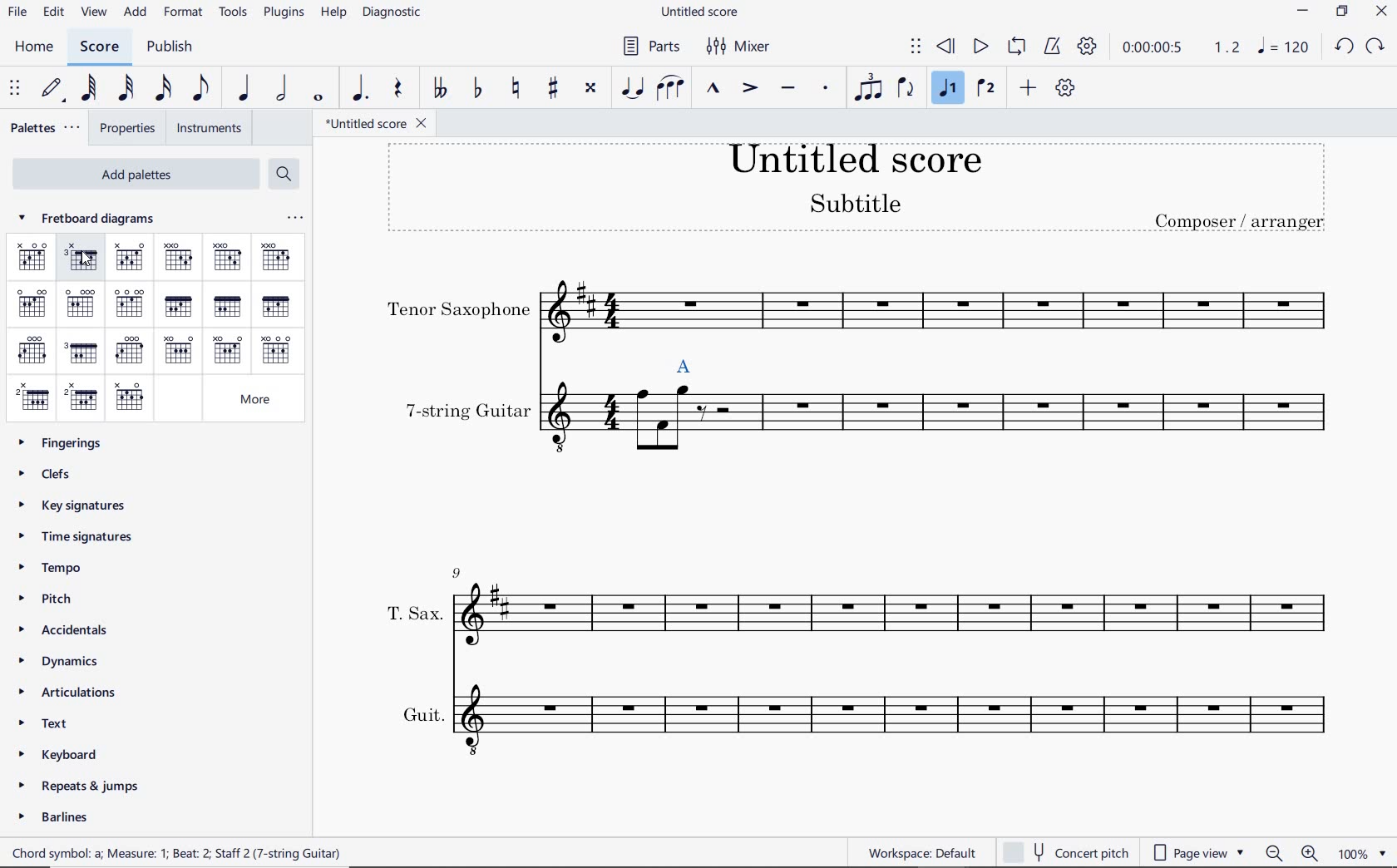 The height and width of the screenshot is (868, 1397). What do you see at coordinates (476, 89) in the screenshot?
I see `TOGGLE FLAT` at bounding box center [476, 89].